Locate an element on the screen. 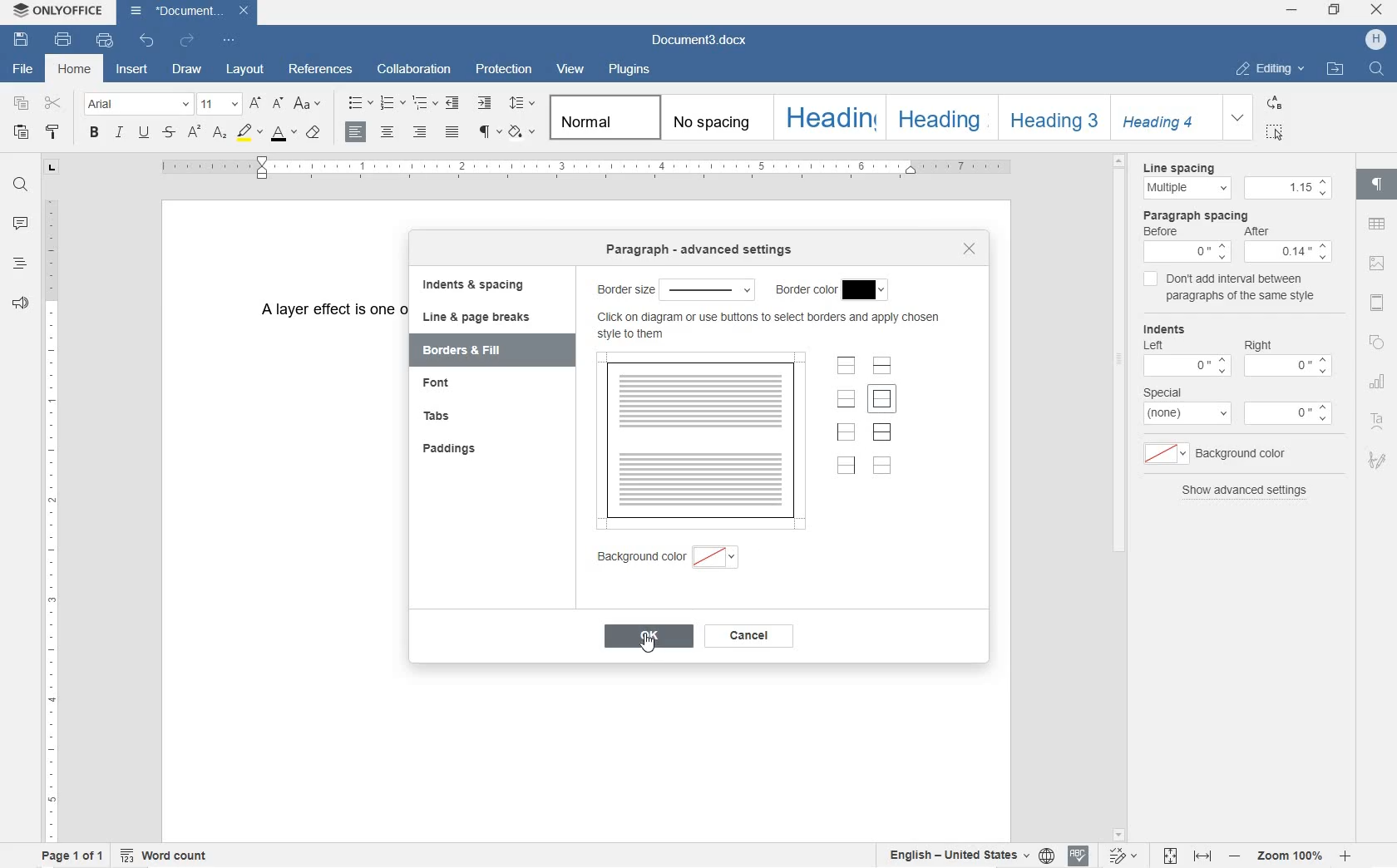  NORMAL is located at coordinates (601, 116).